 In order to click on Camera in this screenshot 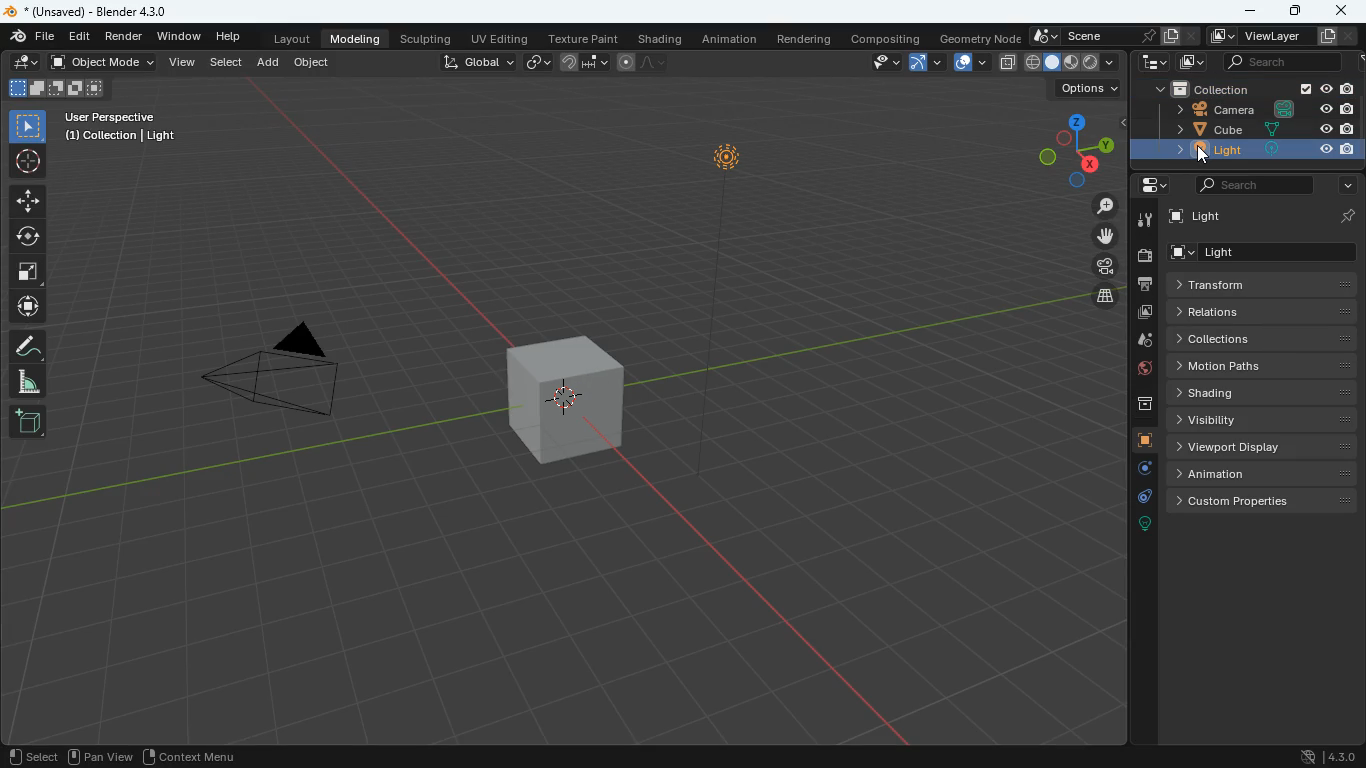, I will do `click(1263, 109)`.